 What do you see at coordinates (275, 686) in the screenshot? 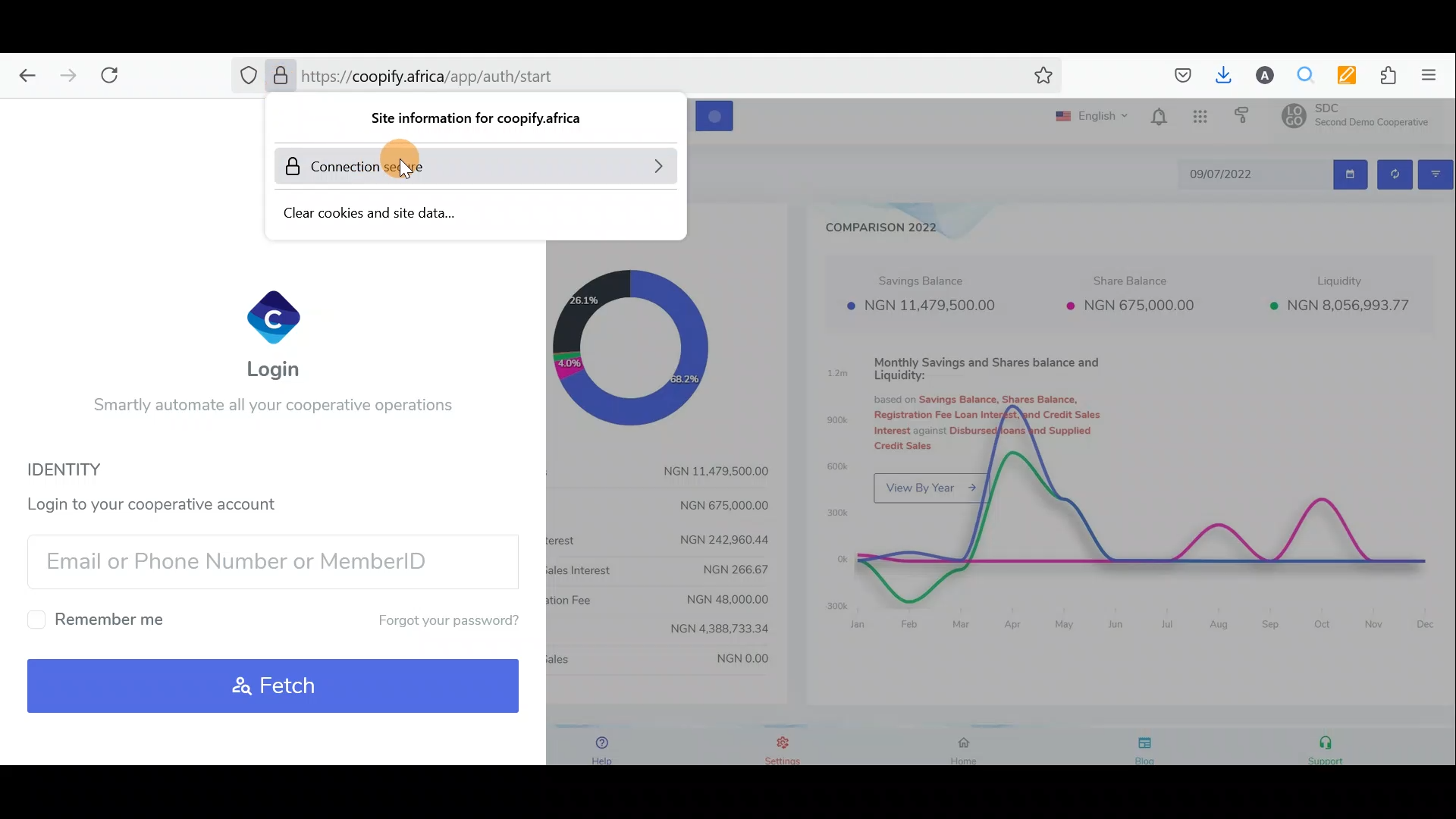
I see `Fetch` at bounding box center [275, 686].